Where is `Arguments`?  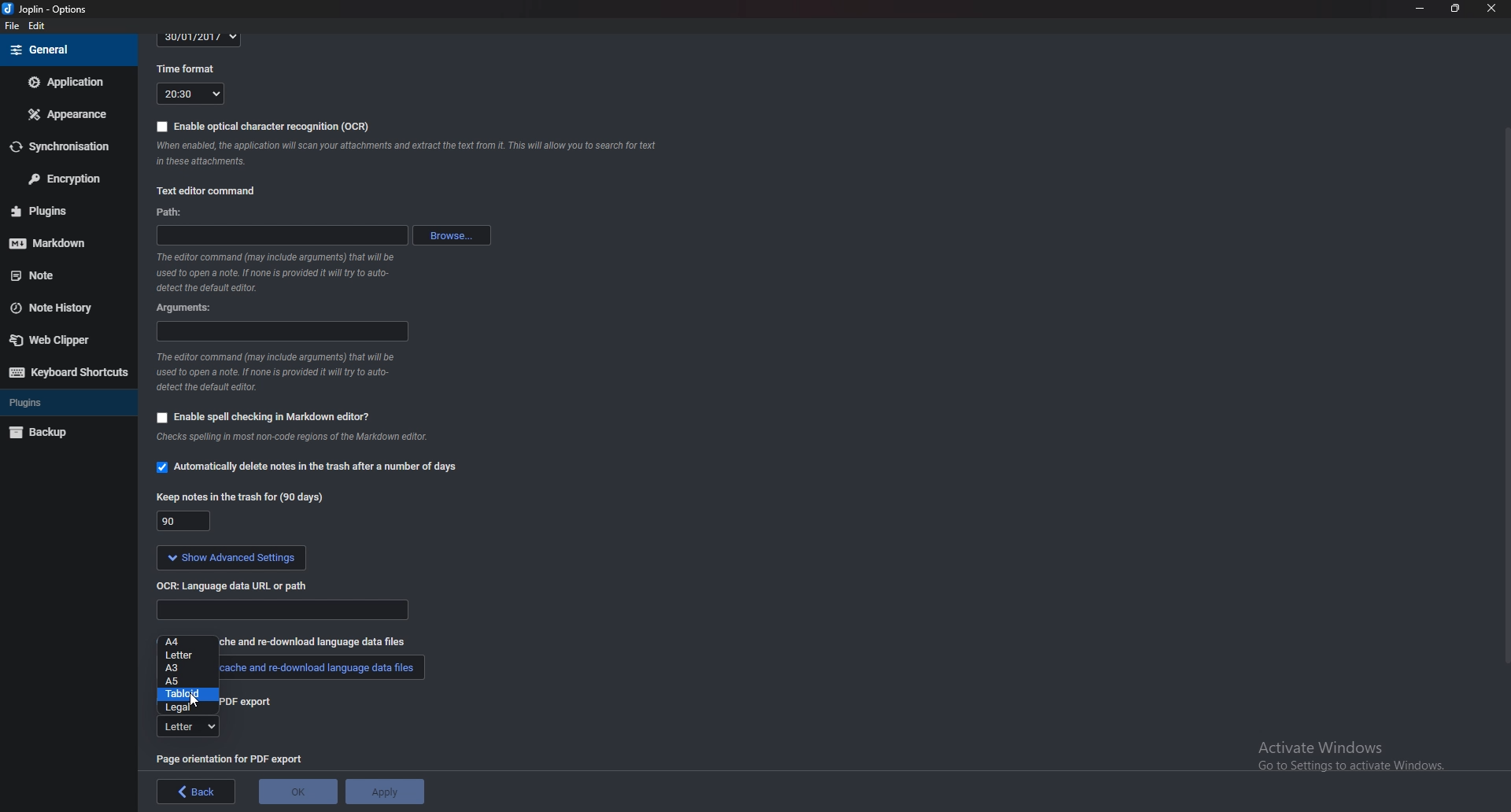
Arguments is located at coordinates (191, 308).